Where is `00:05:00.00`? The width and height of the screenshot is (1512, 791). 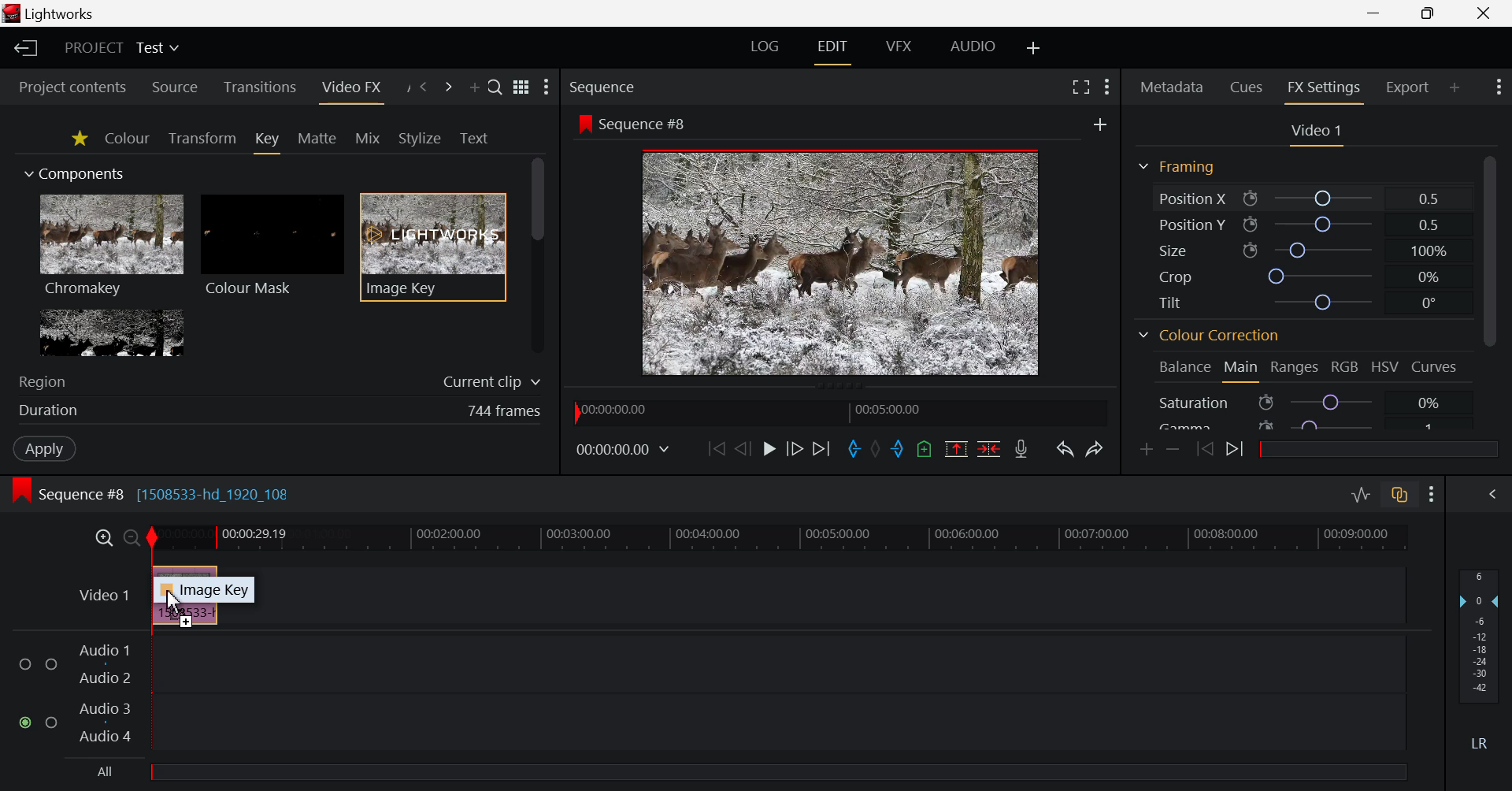
00:05:00.00 is located at coordinates (892, 410).